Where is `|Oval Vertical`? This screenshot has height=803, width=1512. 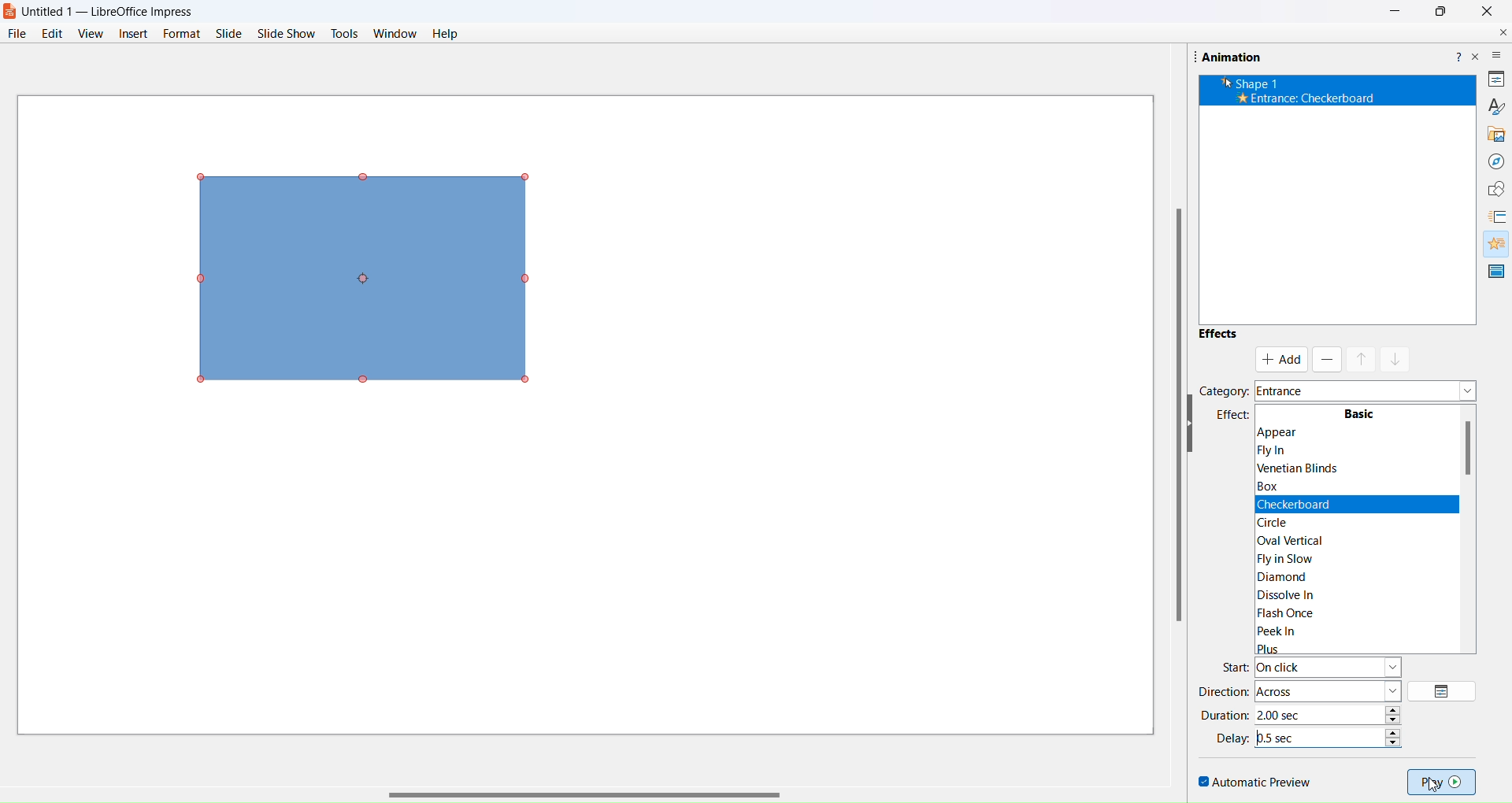
|Oval Vertical is located at coordinates (1300, 538).